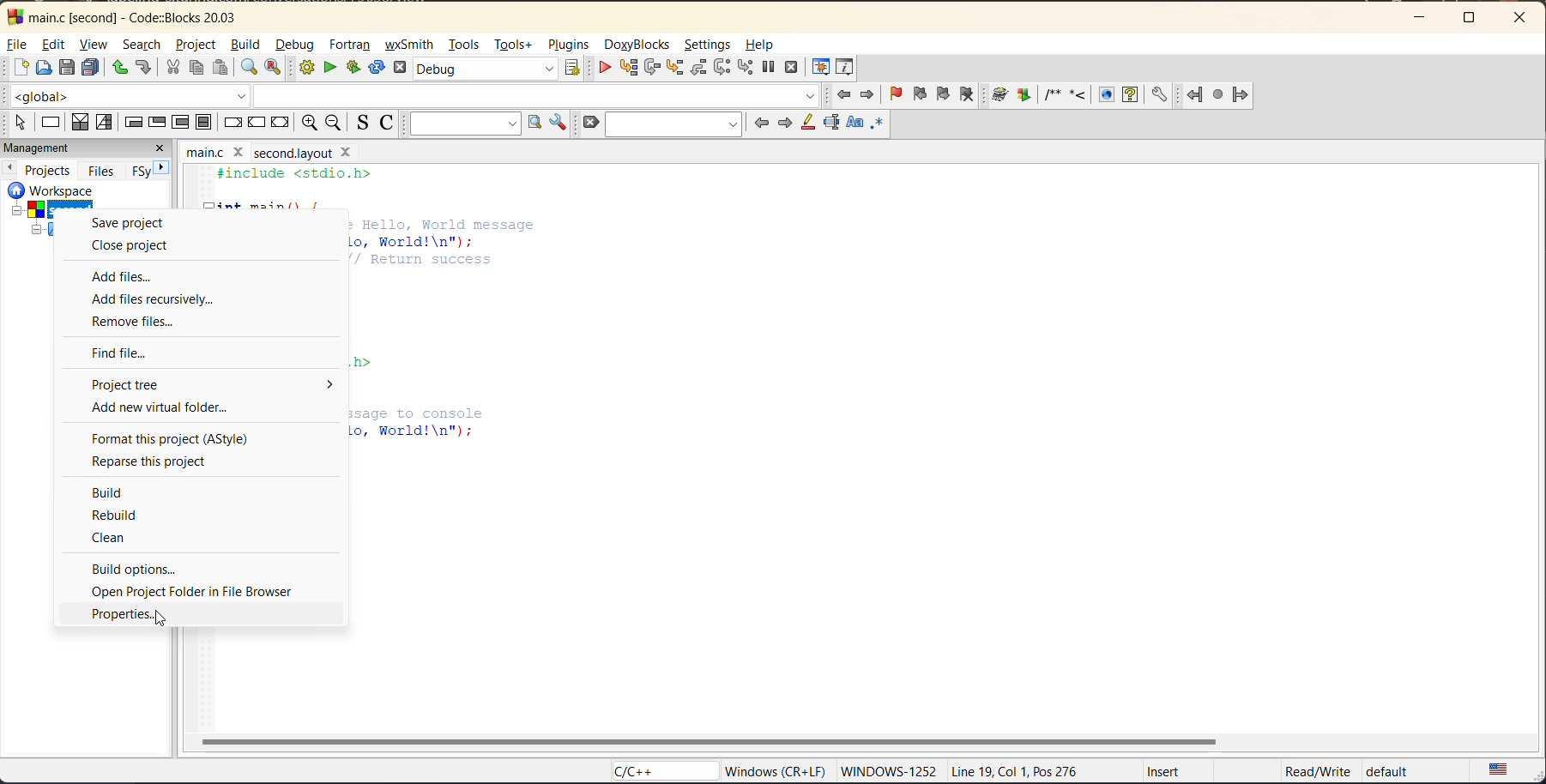 This screenshot has height=784, width=1546. What do you see at coordinates (723, 67) in the screenshot?
I see `next instruction` at bounding box center [723, 67].